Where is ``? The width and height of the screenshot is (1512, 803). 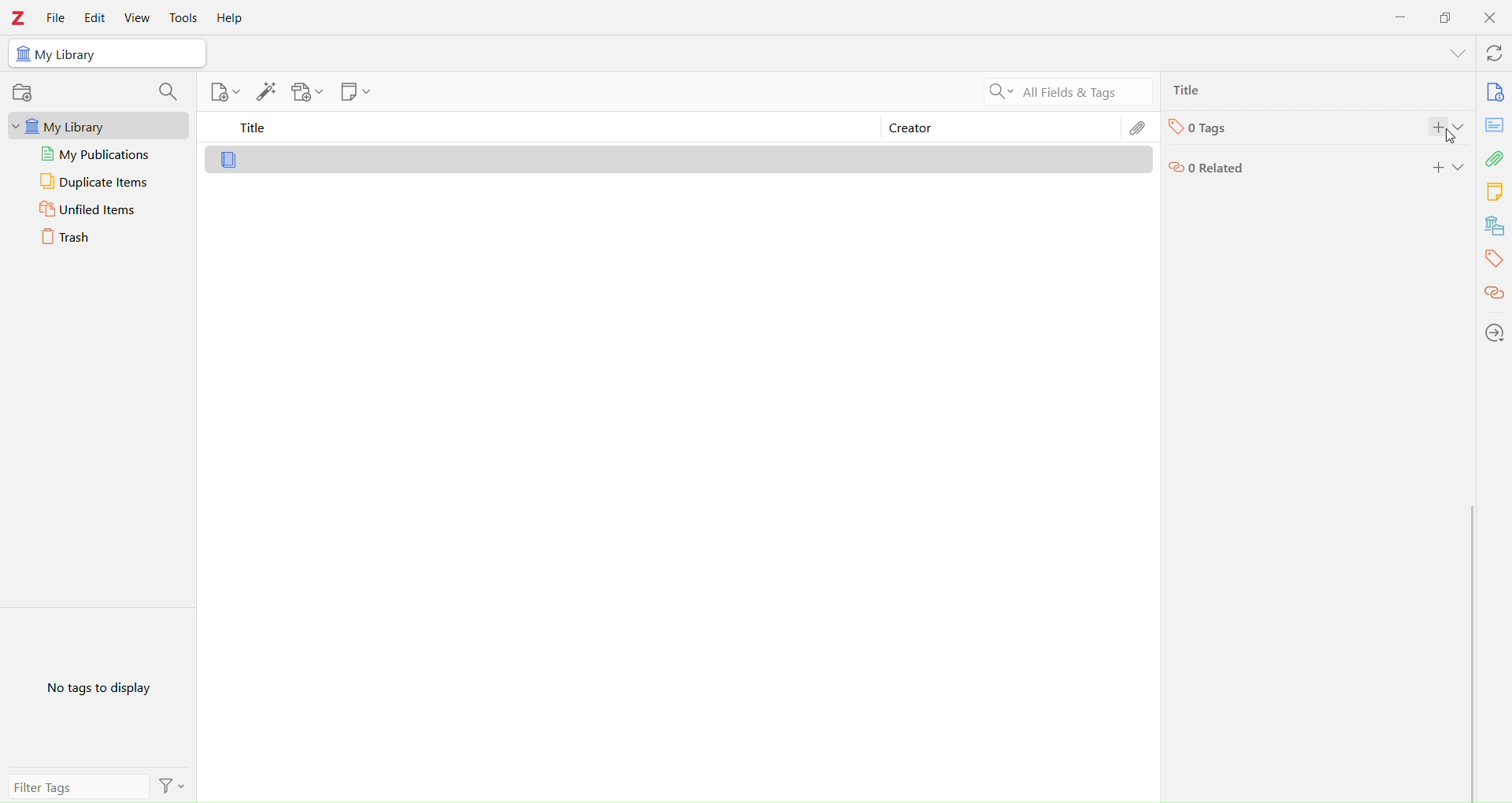  is located at coordinates (184, 18).